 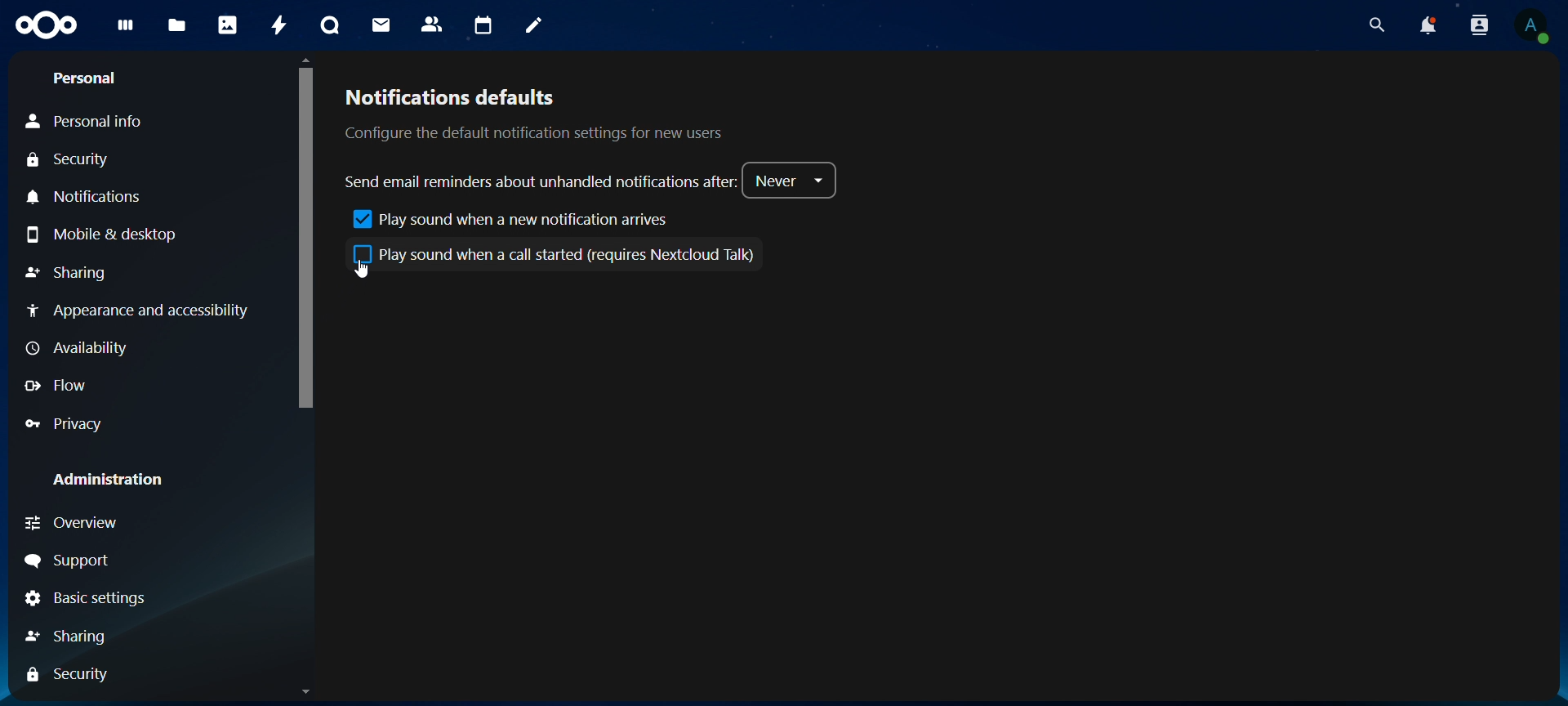 I want to click on Basic settings, so click(x=86, y=598).